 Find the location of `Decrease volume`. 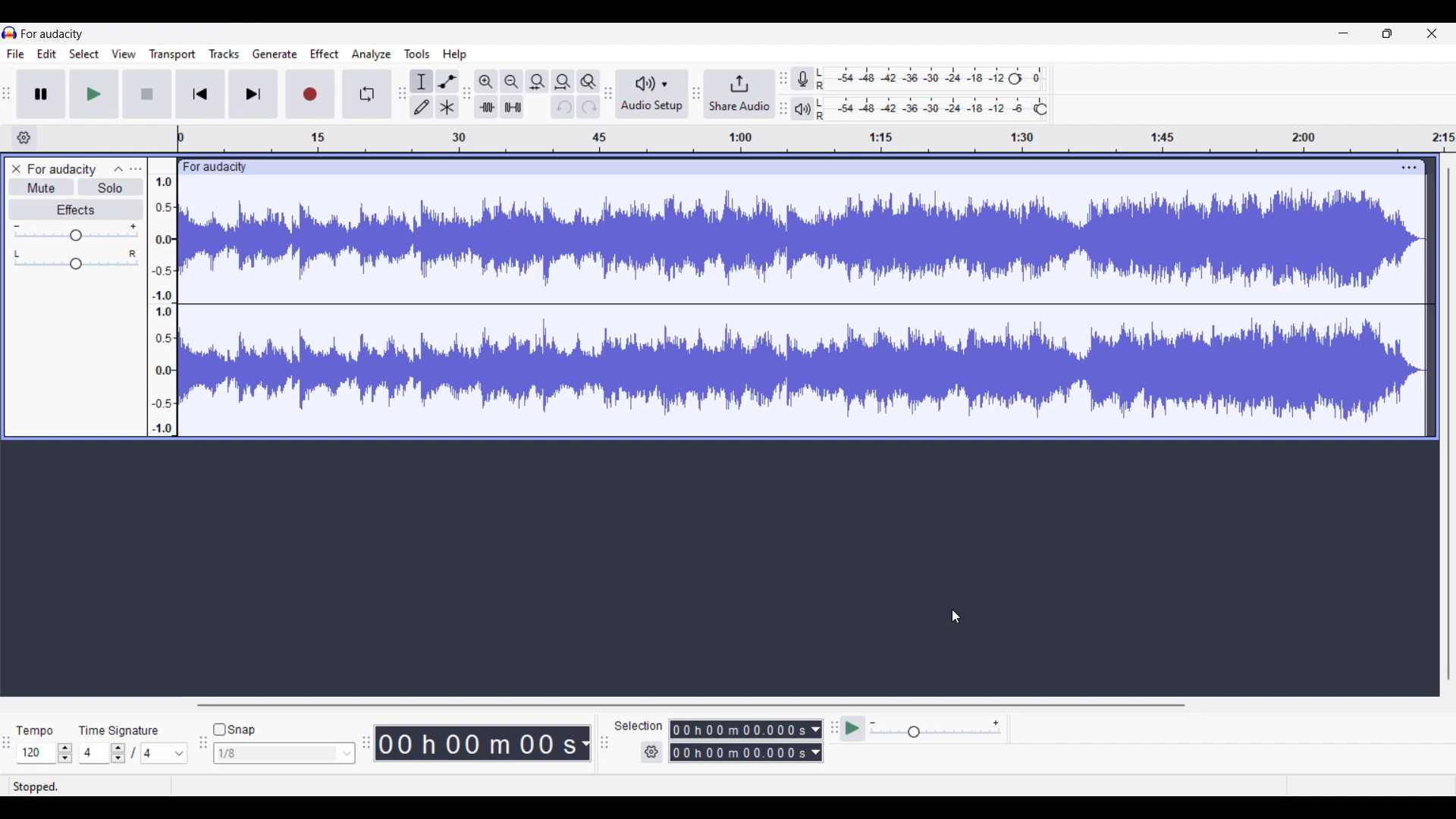

Decrease volume is located at coordinates (16, 227).